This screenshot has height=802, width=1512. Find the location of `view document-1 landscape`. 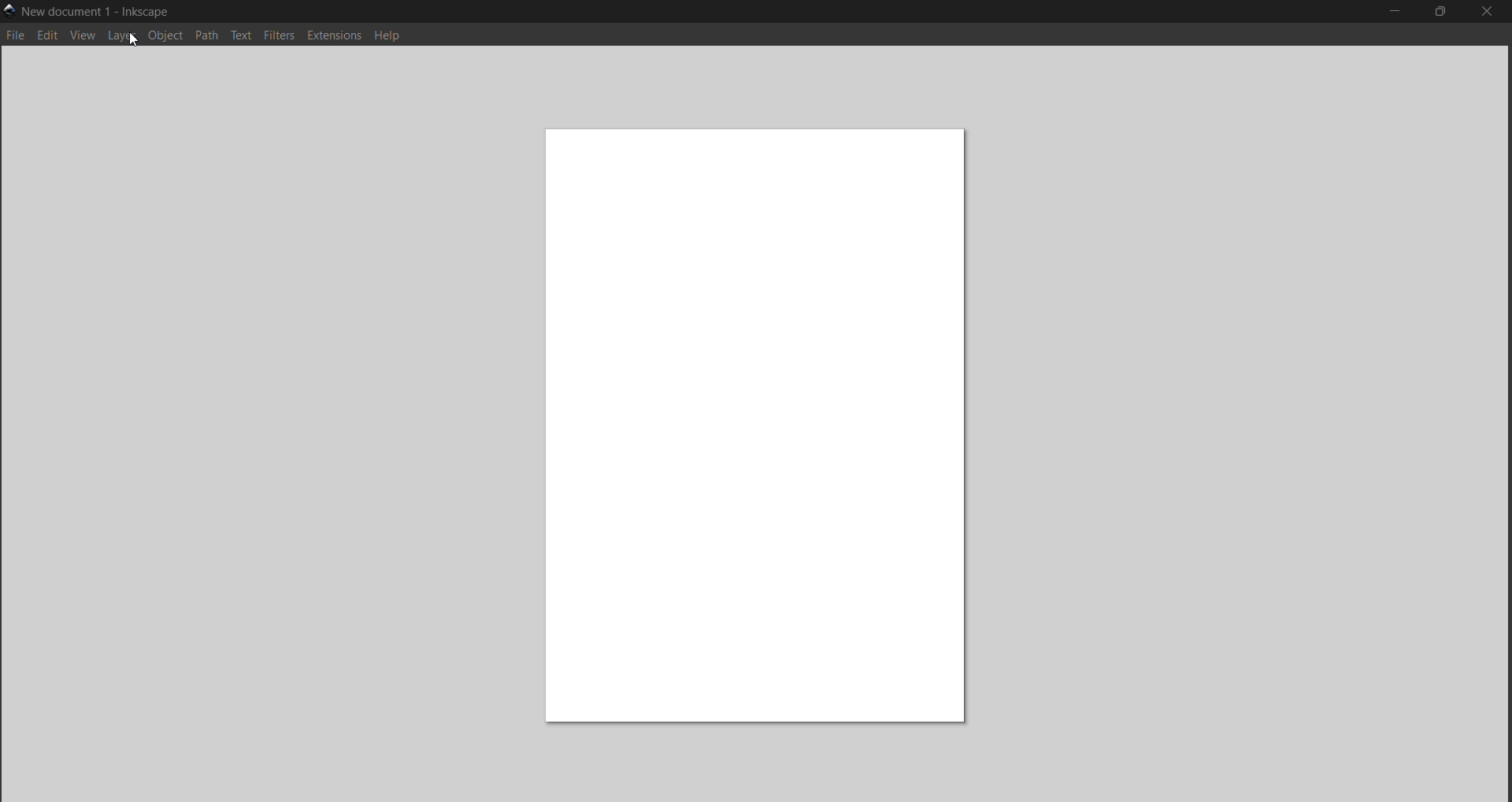

view document-1 landscape is located at coordinates (101, 11).